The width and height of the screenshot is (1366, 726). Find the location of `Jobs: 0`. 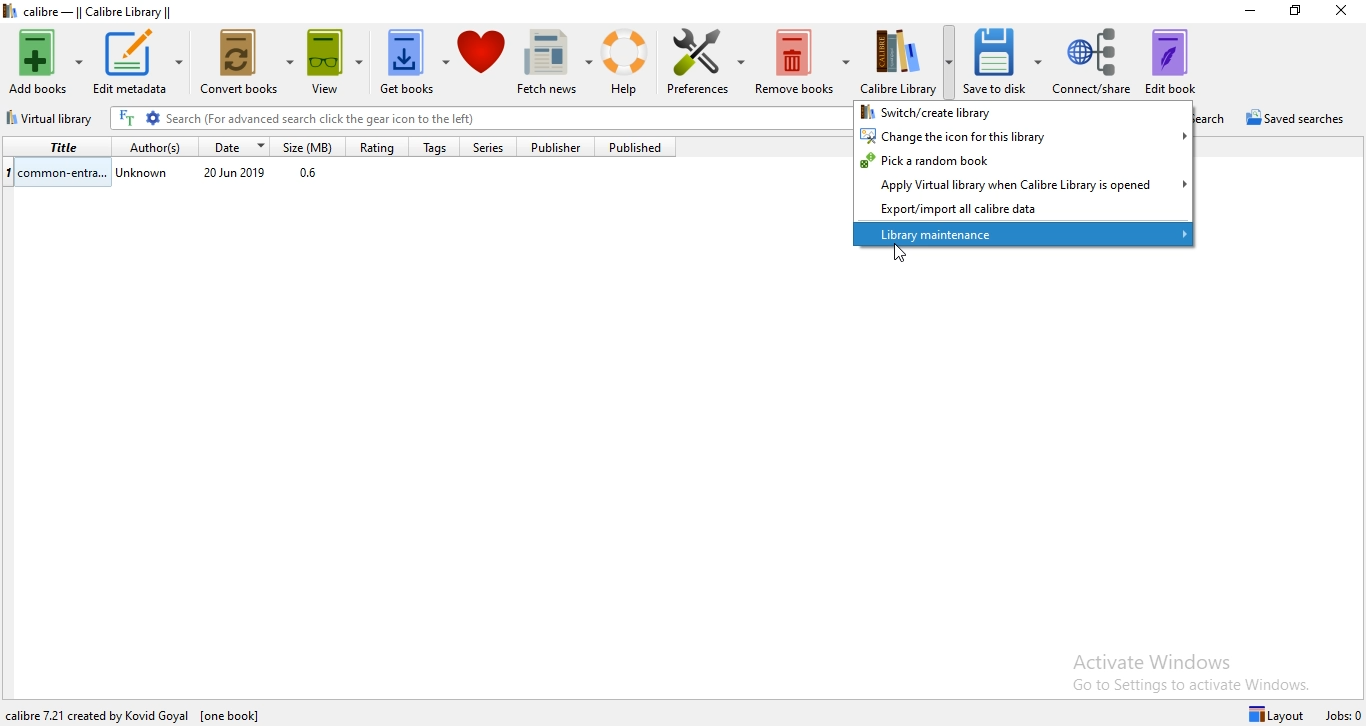

Jobs: 0 is located at coordinates (1344, 716).